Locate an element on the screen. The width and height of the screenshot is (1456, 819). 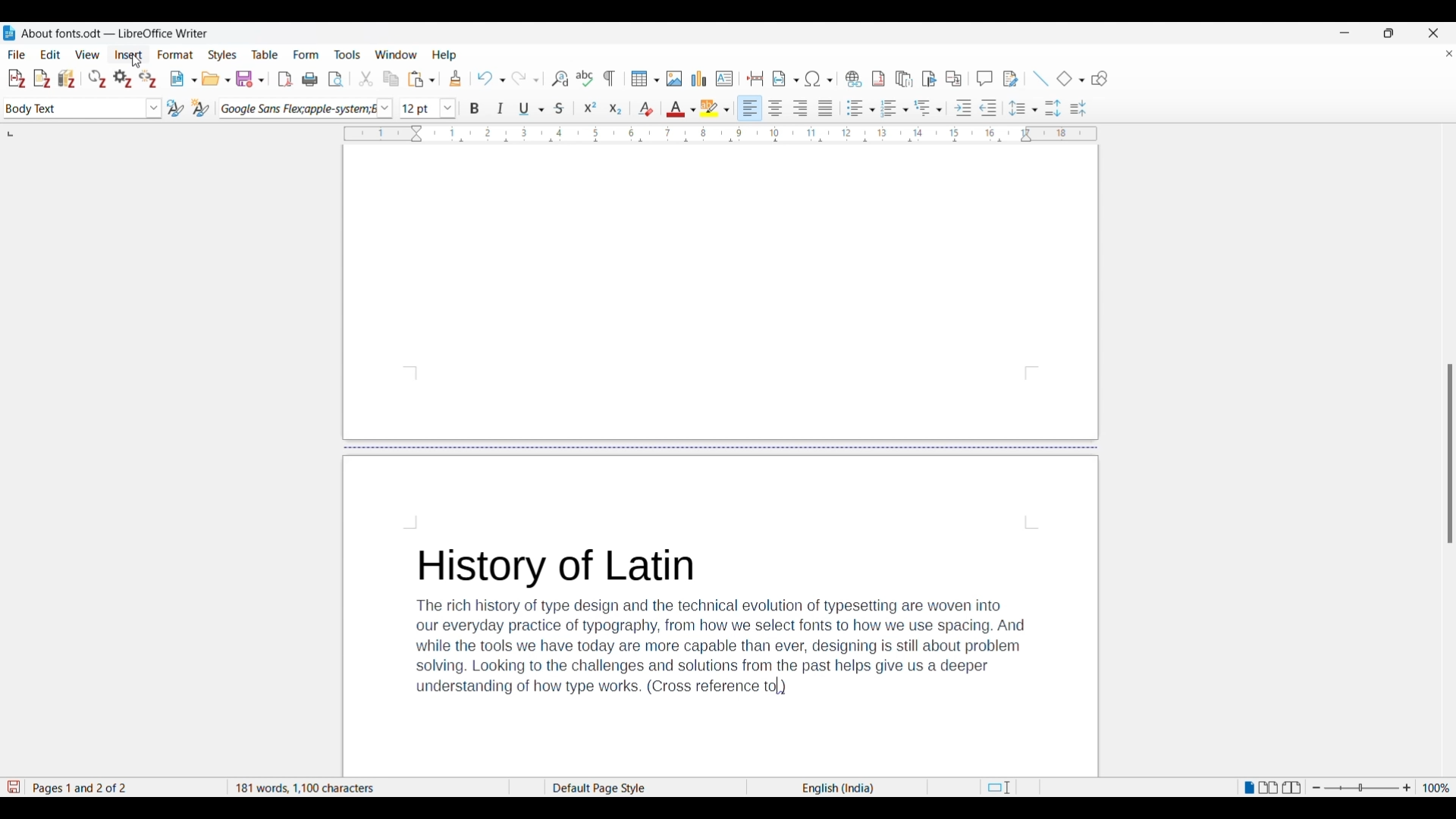
Zoom in is located at coordinates (1407, 789).